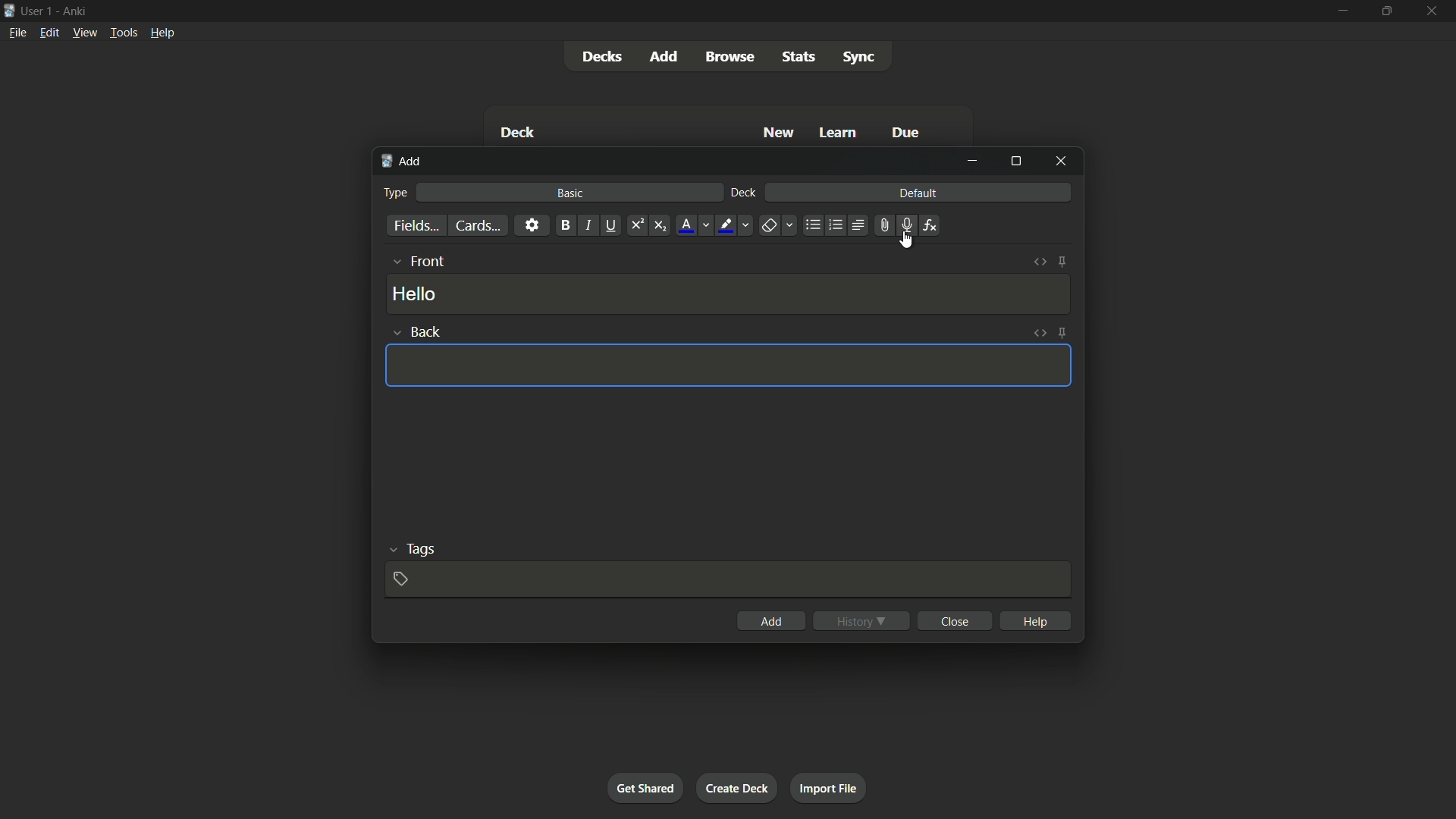  I want to click on help menu, so click(163, 33).